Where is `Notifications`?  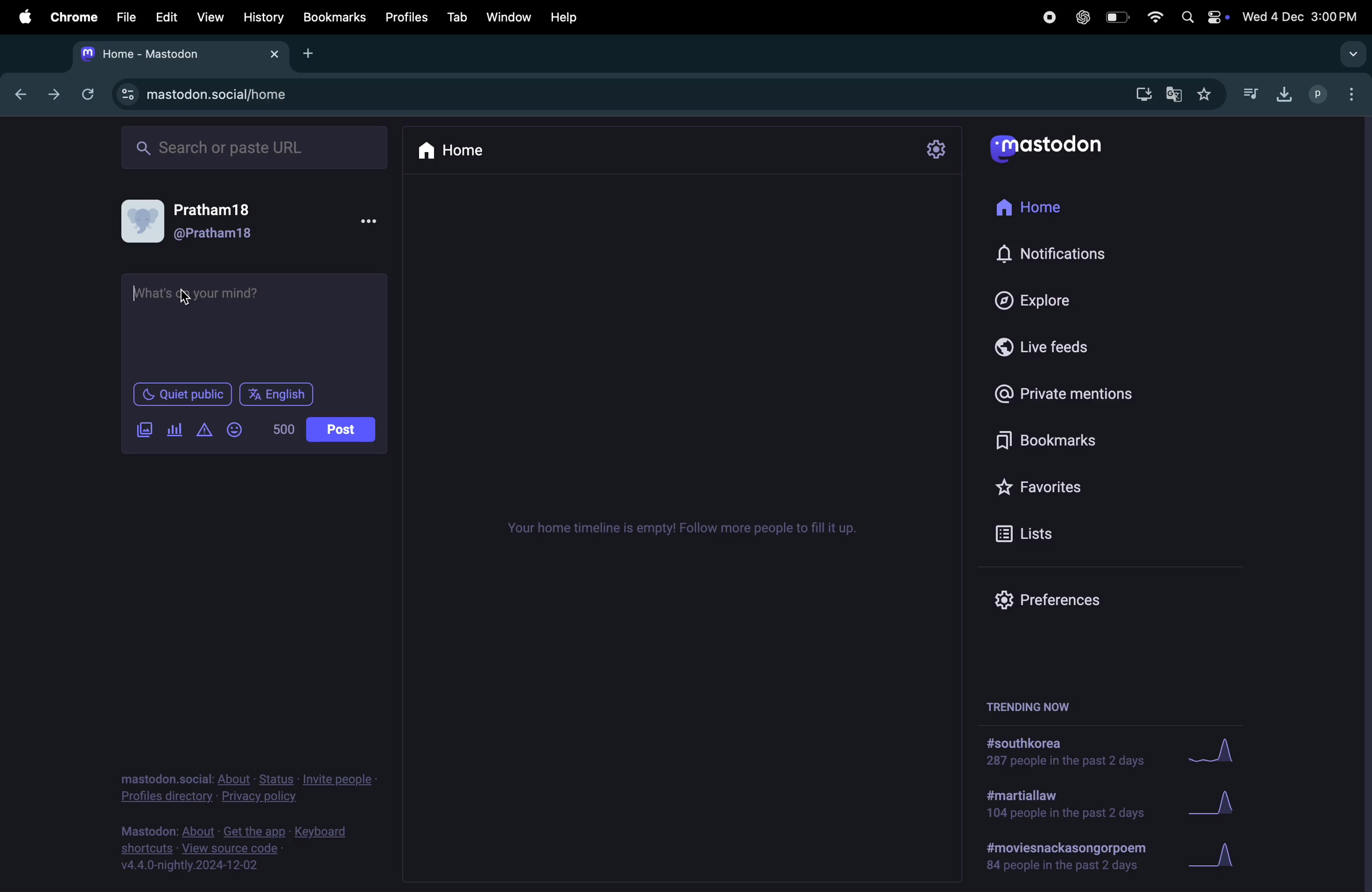 Notifications is located at coordinates (1080, 252).